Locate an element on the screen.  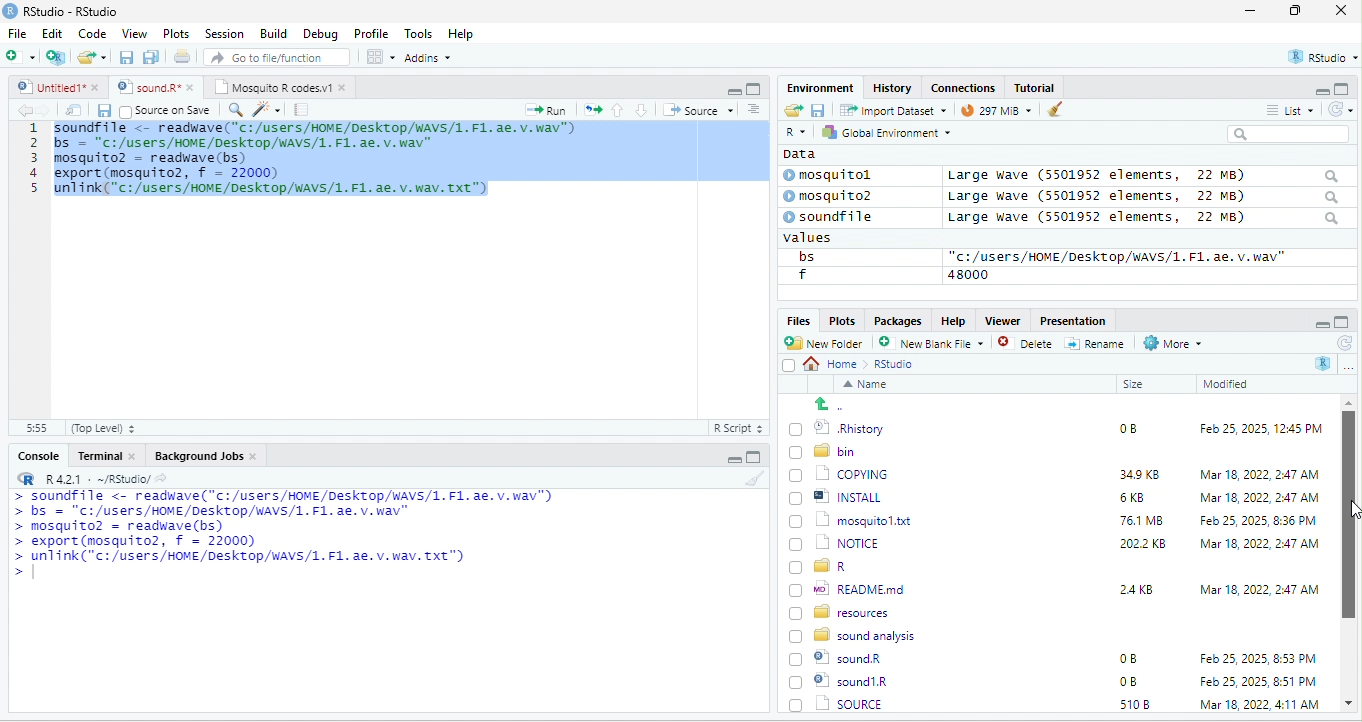
New Folder is located at coordinates (828, 343).